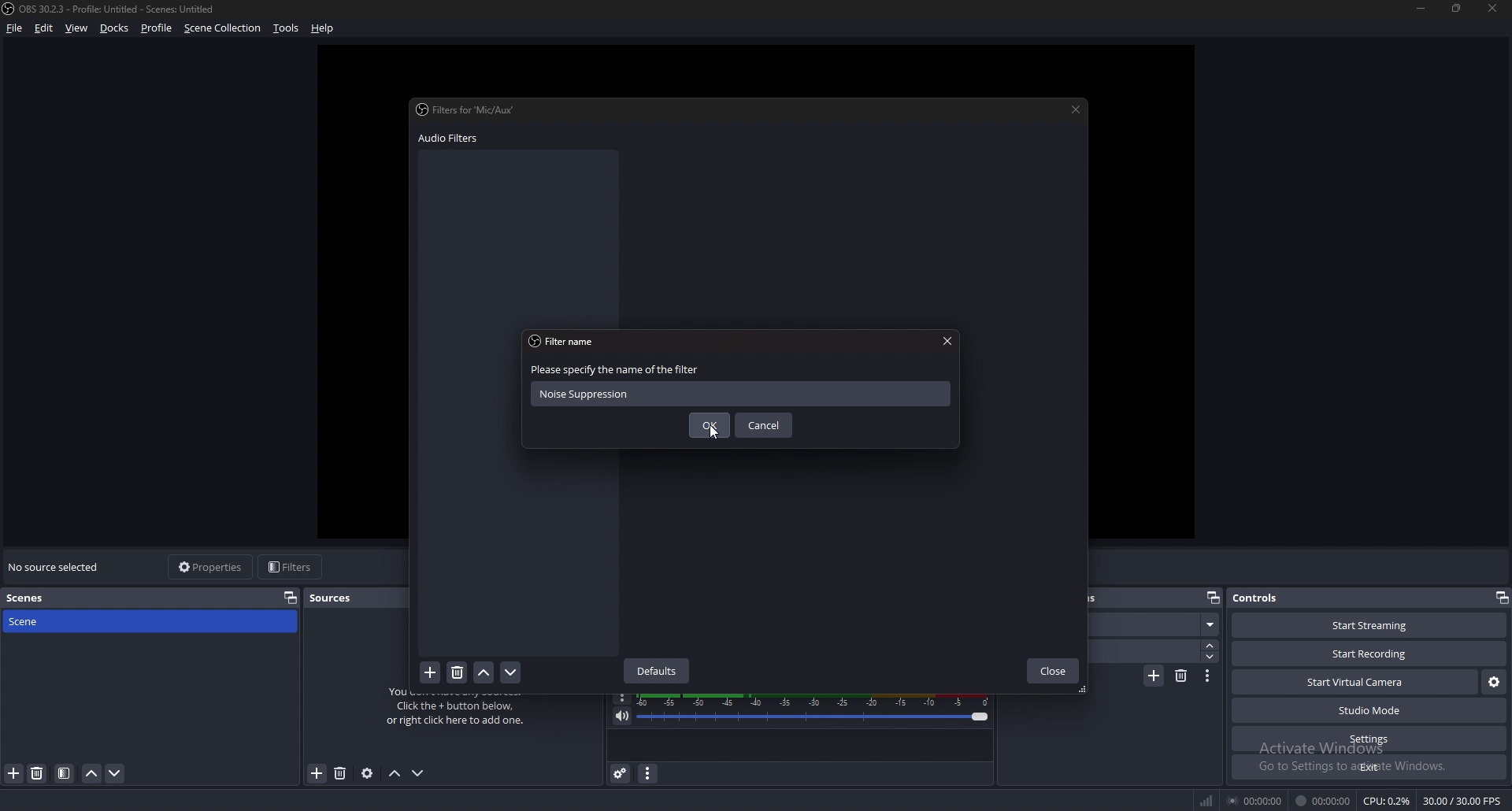  I want to click on You don't have any sources.
Click the + button below,
or right click here to add one., so click(462, 713).